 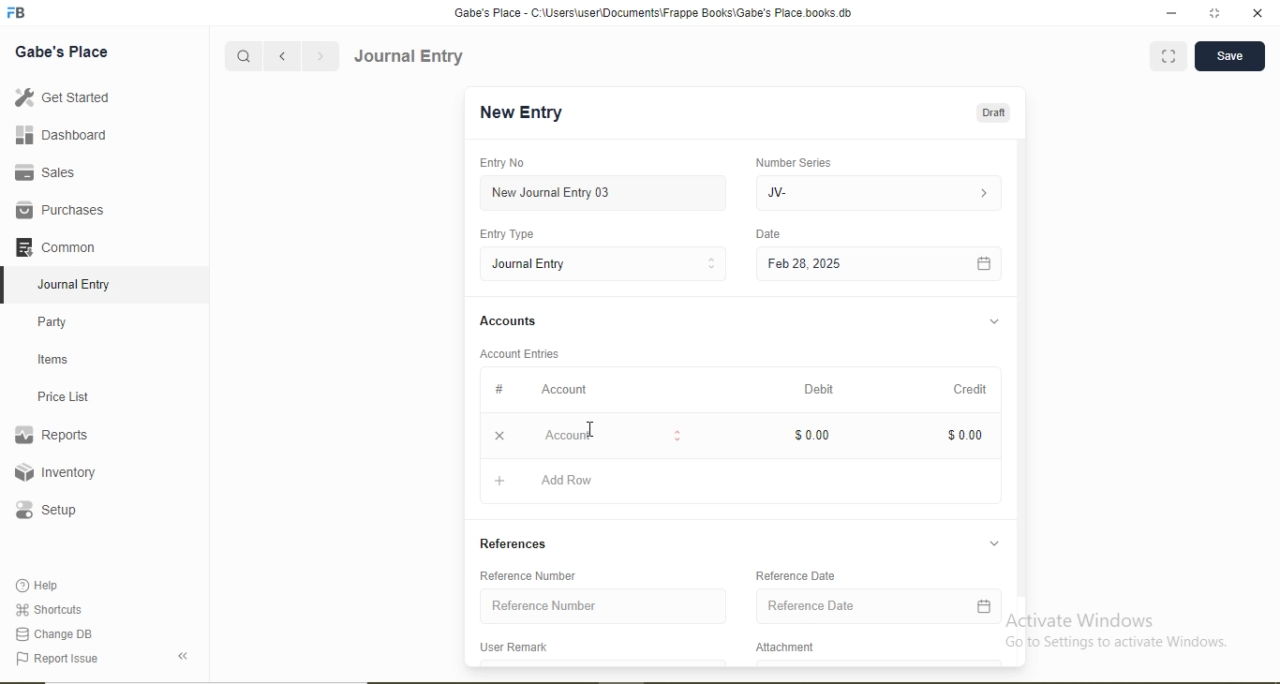 I want to click on Reference Number, so click(x=527, y=575).